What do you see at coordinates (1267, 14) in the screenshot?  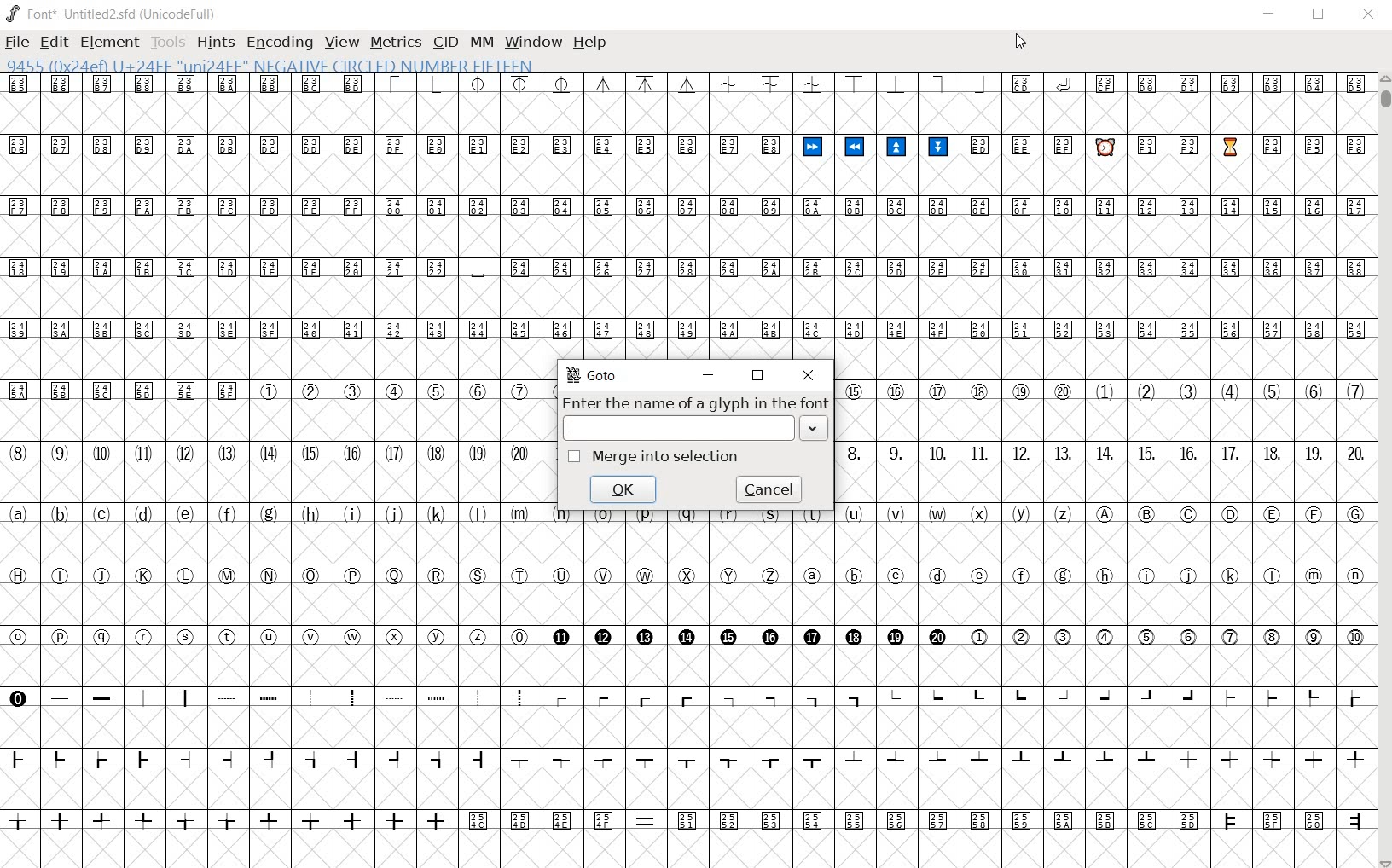 I see `MINIMIZE` at bounding box center [1267, 14].